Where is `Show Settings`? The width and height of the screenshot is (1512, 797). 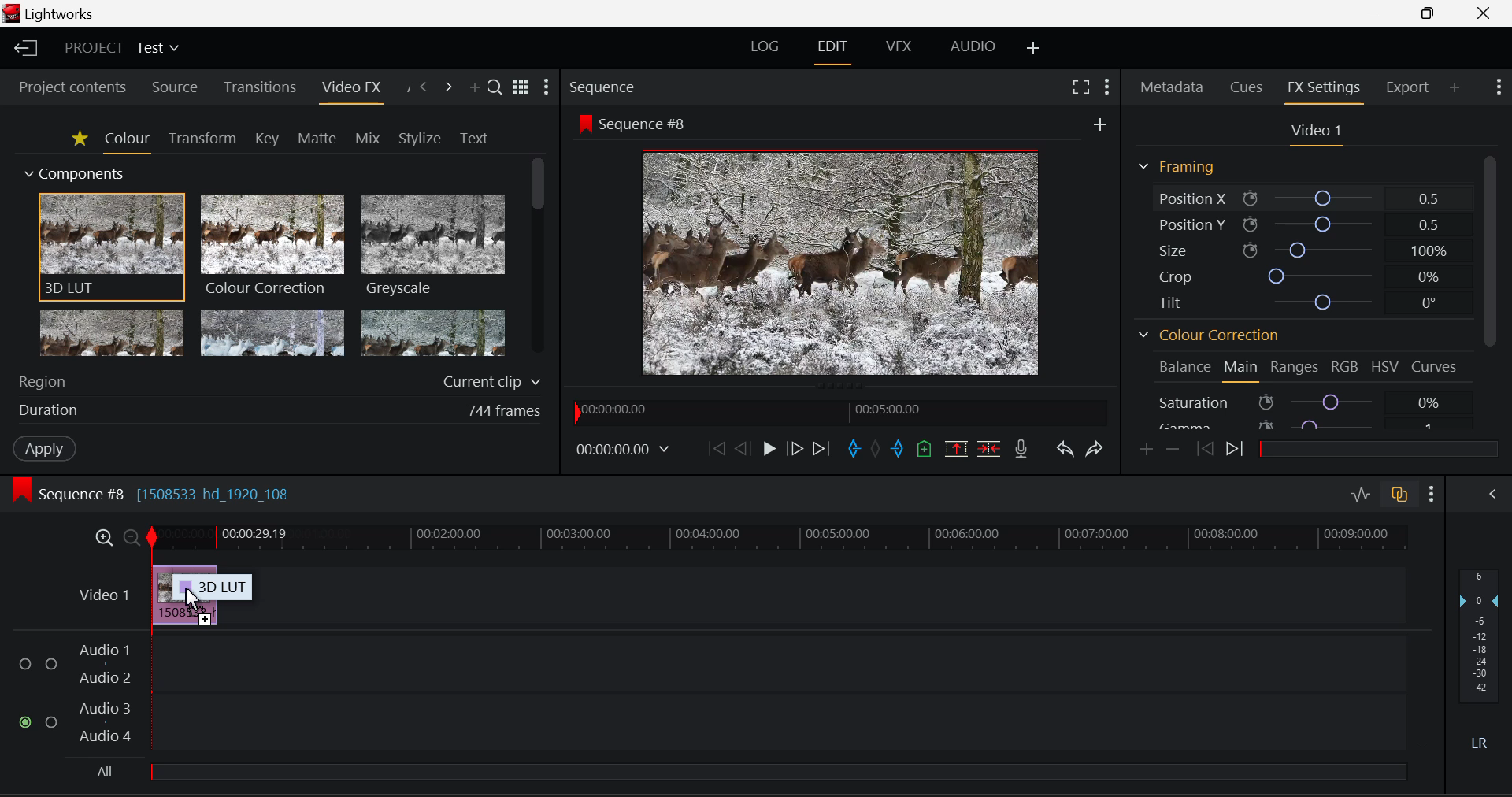
Show Settings is located at coordinates (1497, 87).